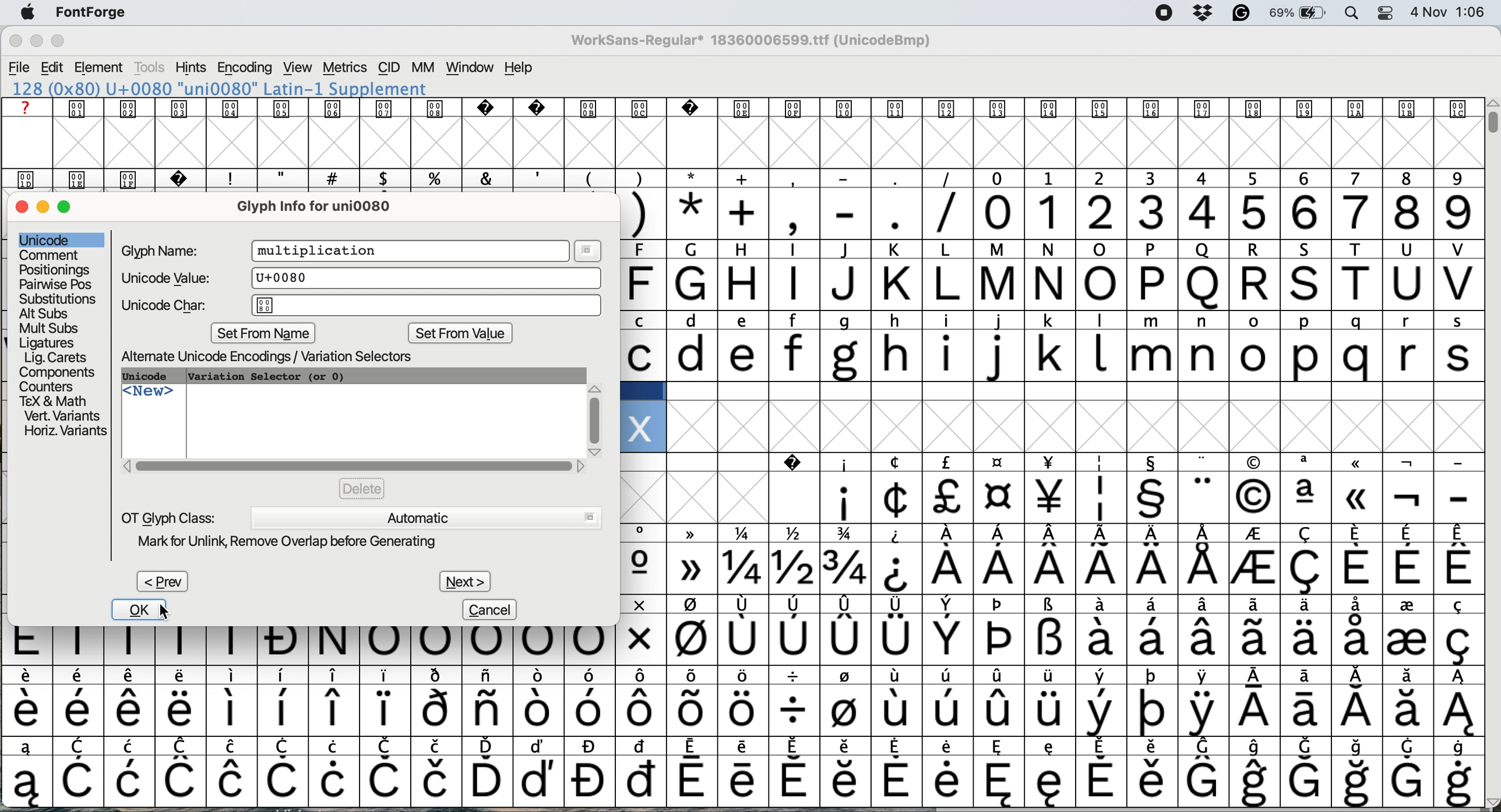 This screenshot has width=1501, height=812. I want to click on special characters, so click(745, 745).